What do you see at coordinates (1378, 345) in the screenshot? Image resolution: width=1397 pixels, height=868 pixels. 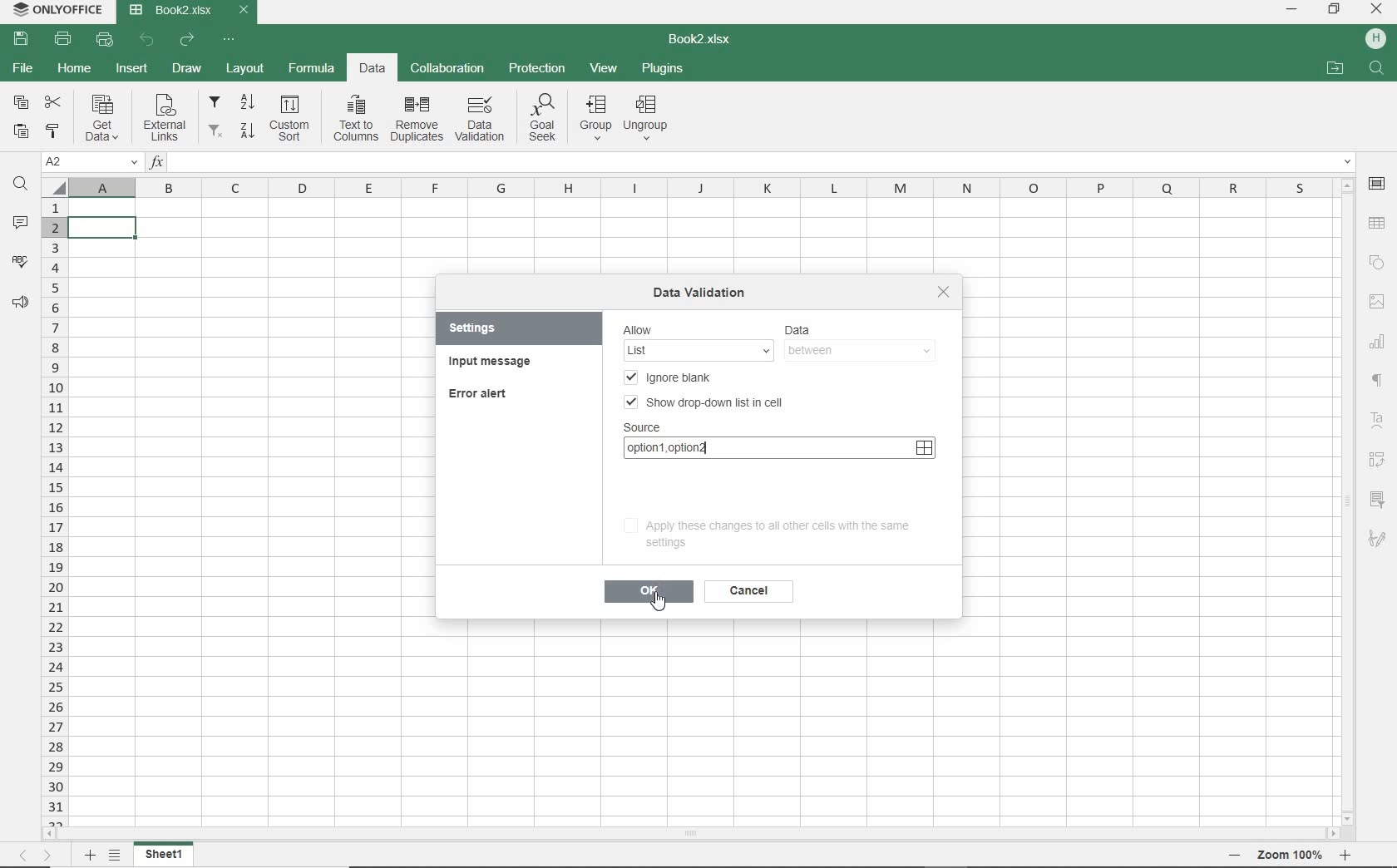 I see `CHART` at bounding box center [1378, 345].